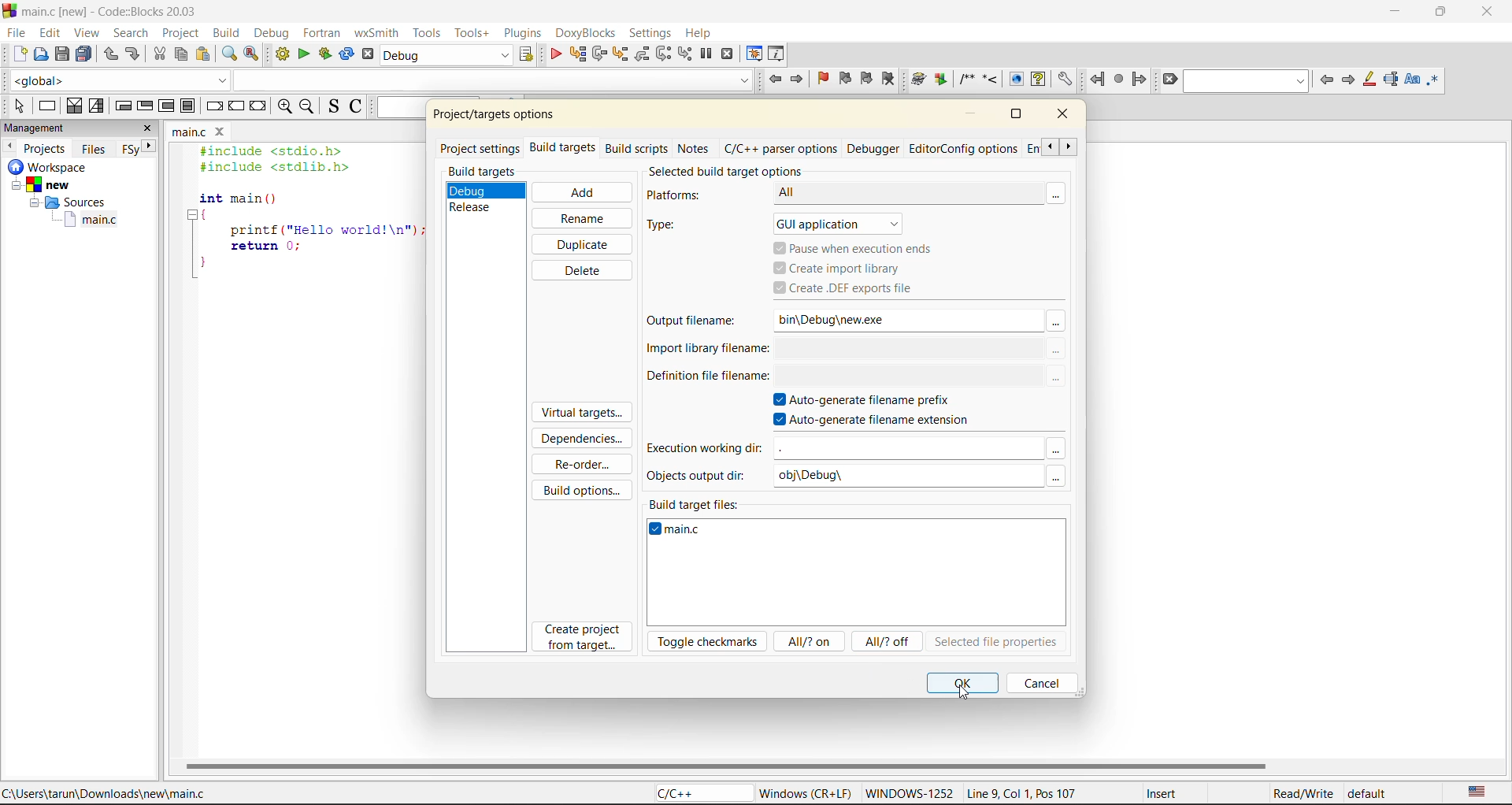 Image resolution: width=1512 pixels, height=805 pixels. I want to click on new, so click(19, 54).